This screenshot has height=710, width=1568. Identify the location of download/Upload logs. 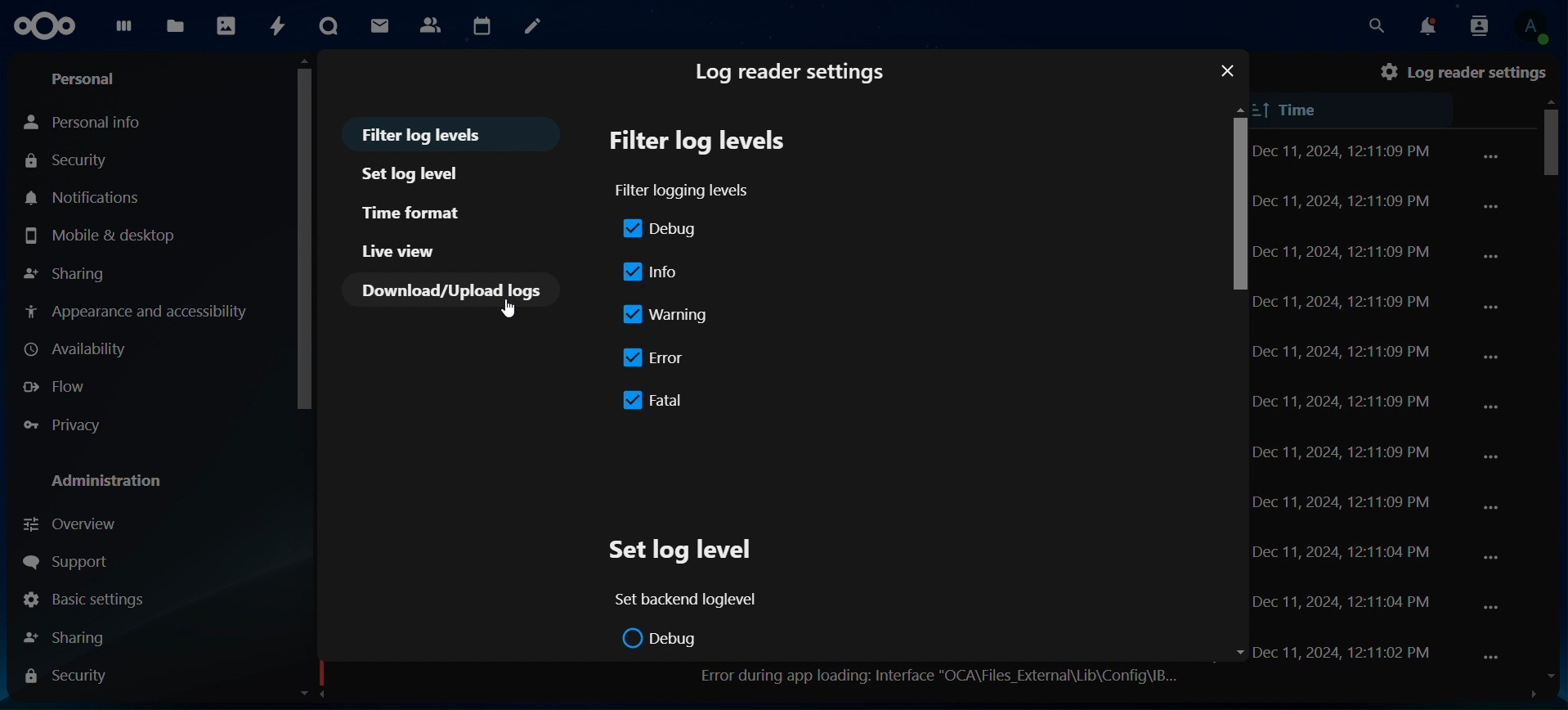
(454, 290).